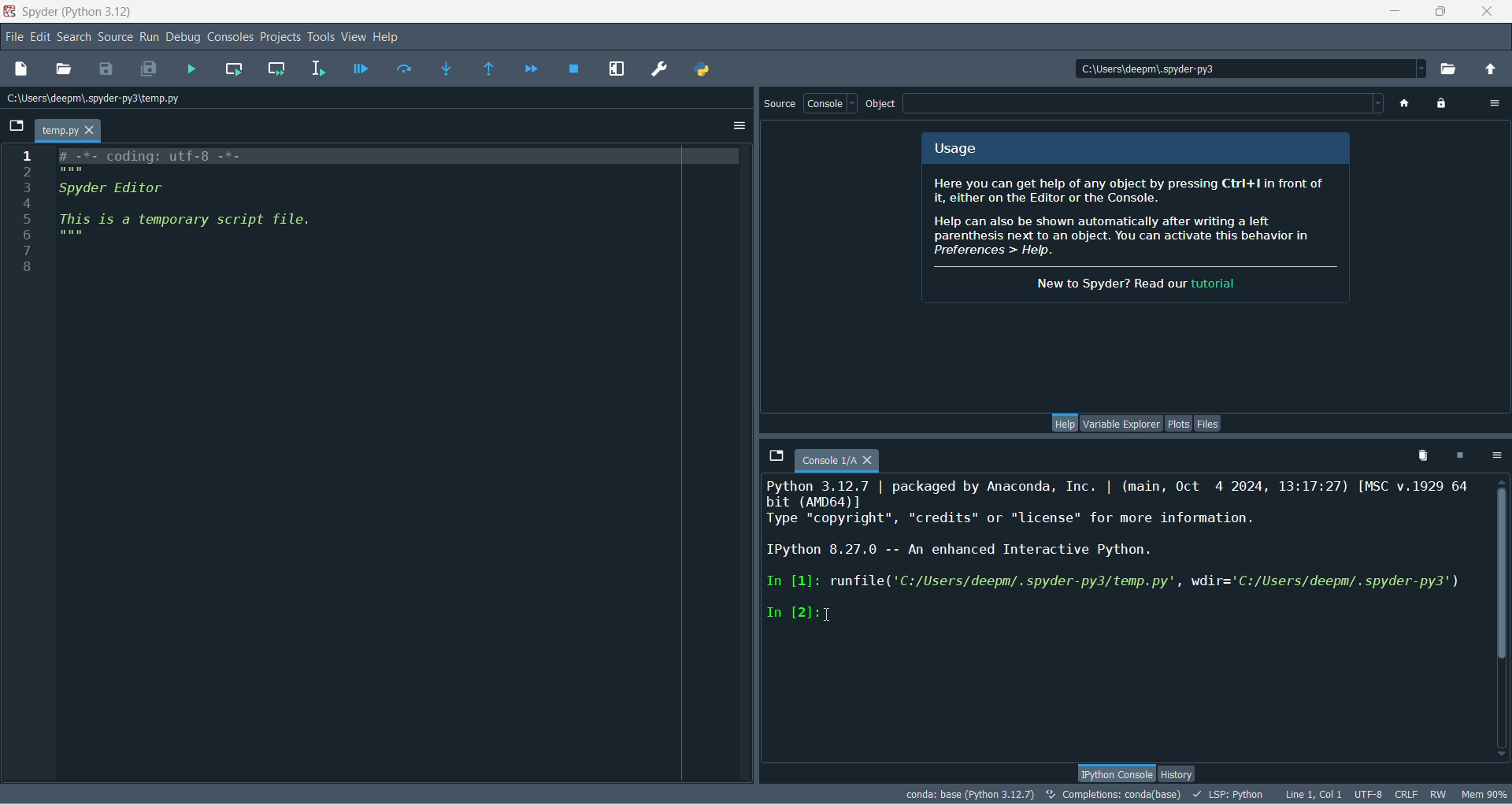  What do you see at coordinates (361, 72) in the screenshot?
I see `debug file` at bounding box center [361, 72].